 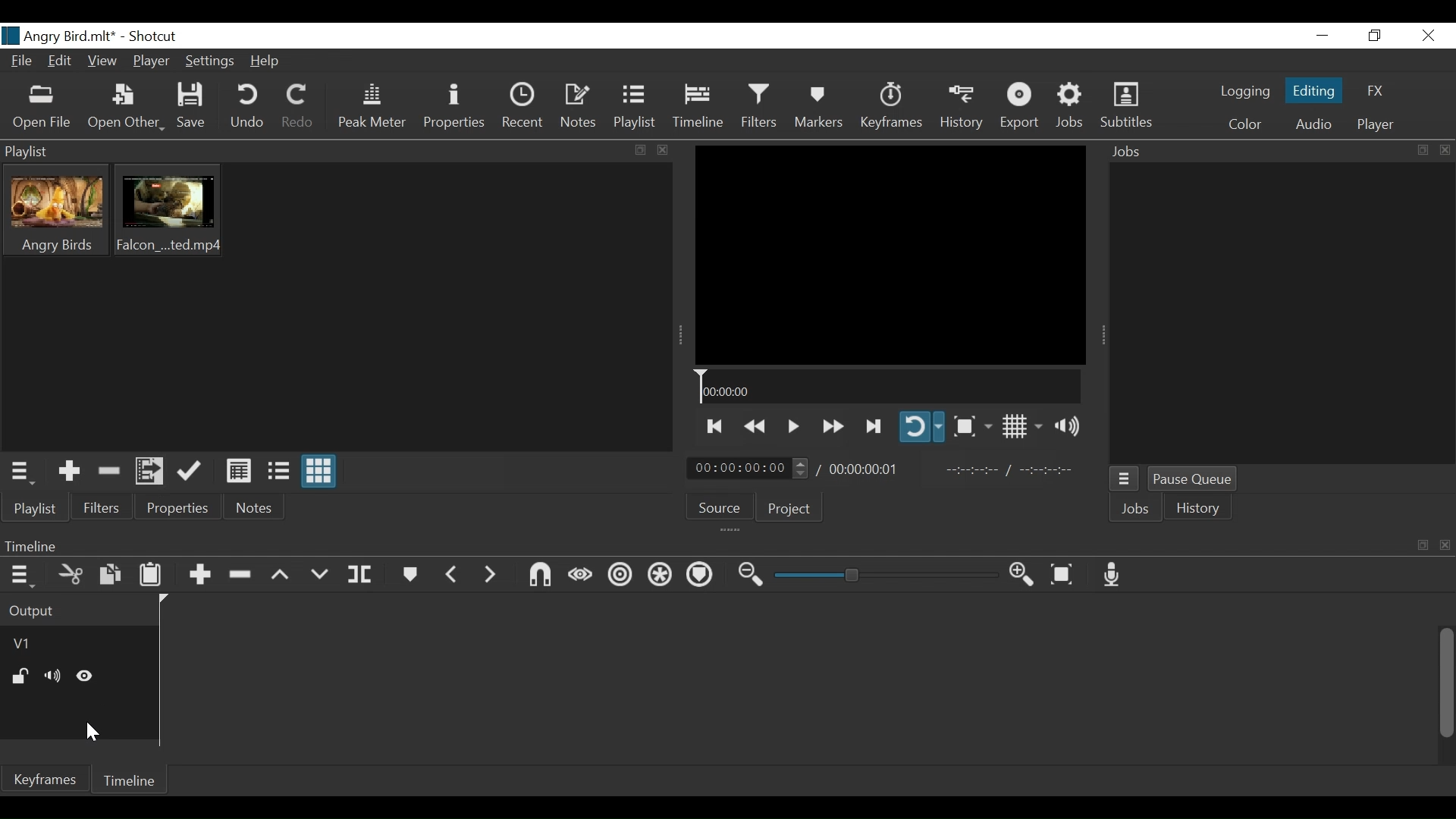 I want to click on Save, so click(x=192, y=108).